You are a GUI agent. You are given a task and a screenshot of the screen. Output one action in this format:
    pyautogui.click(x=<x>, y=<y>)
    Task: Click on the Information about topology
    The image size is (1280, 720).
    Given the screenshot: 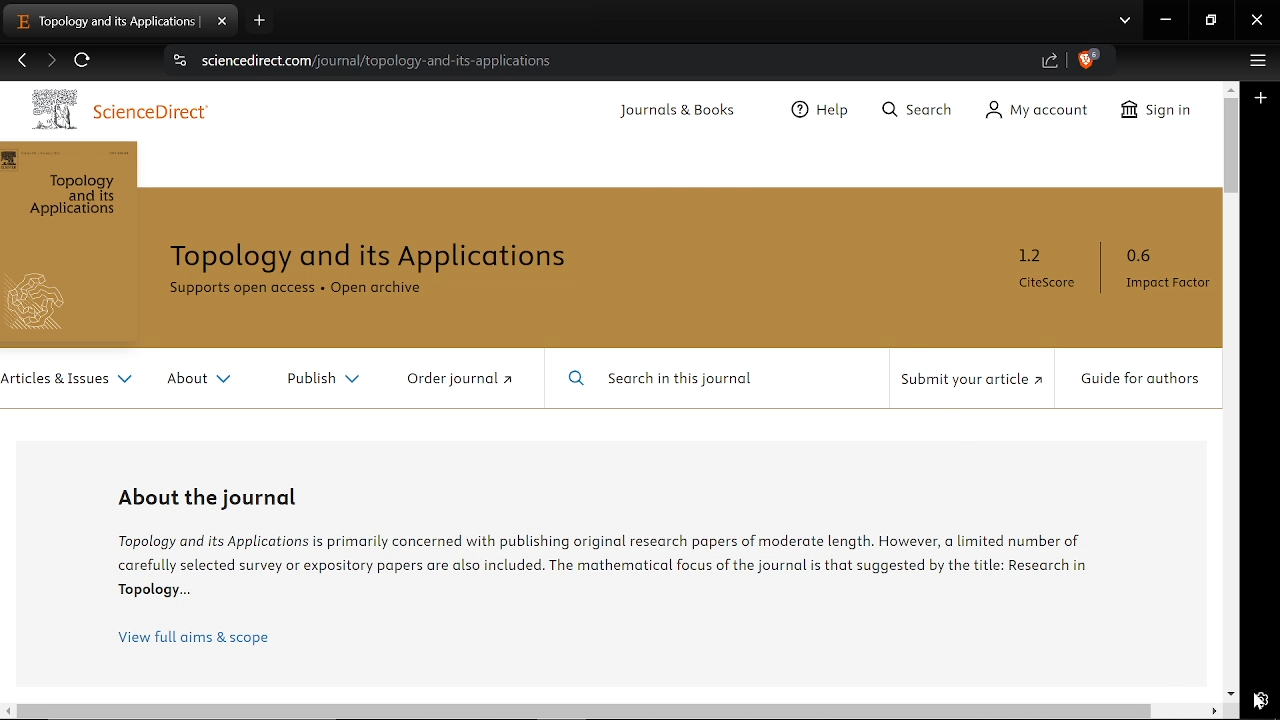 What is the action you would take?
    pyautogui.click(x=615, y=564)
    